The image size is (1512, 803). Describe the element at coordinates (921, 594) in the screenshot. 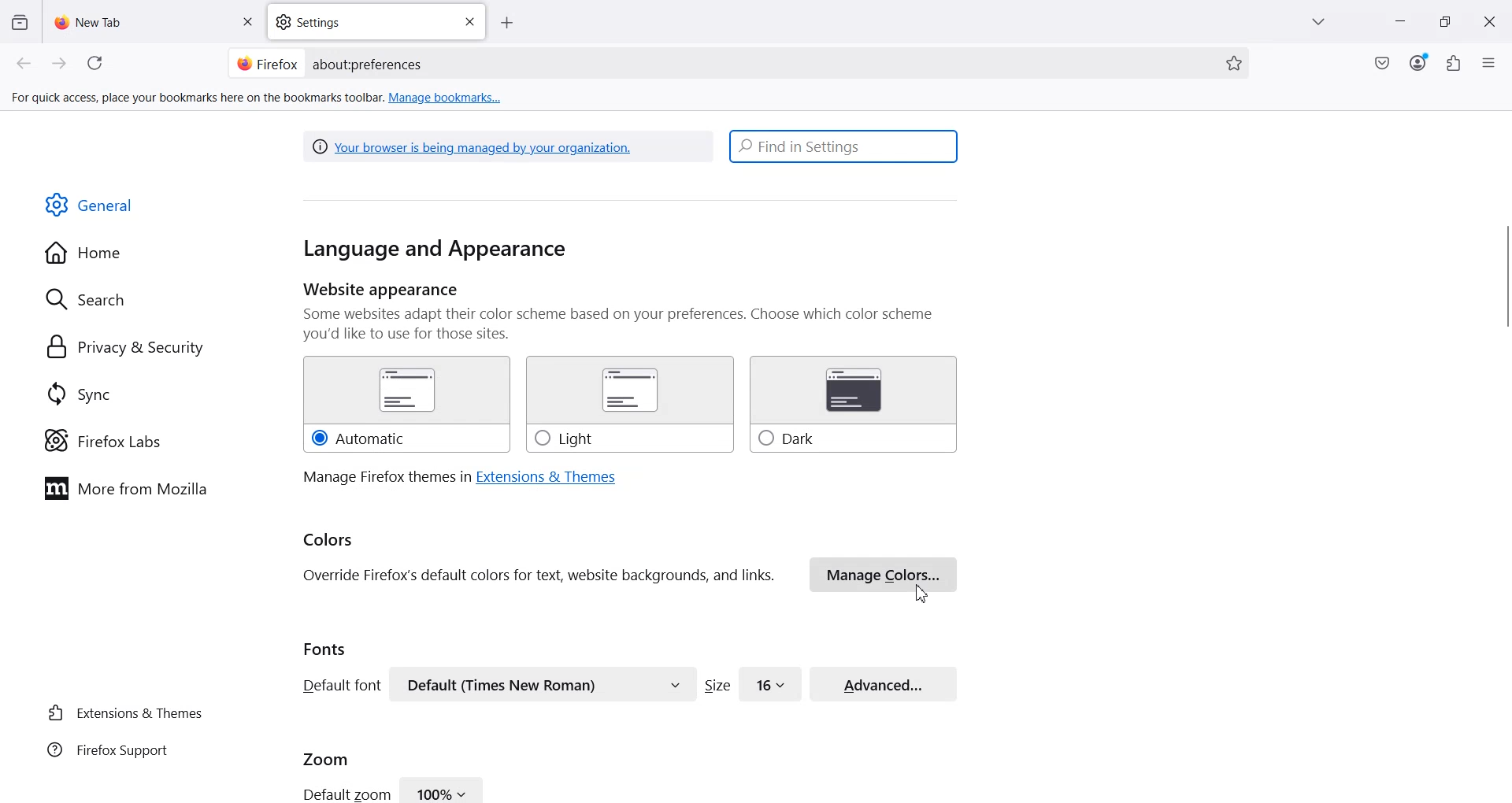

I see `Cursor` at that location.